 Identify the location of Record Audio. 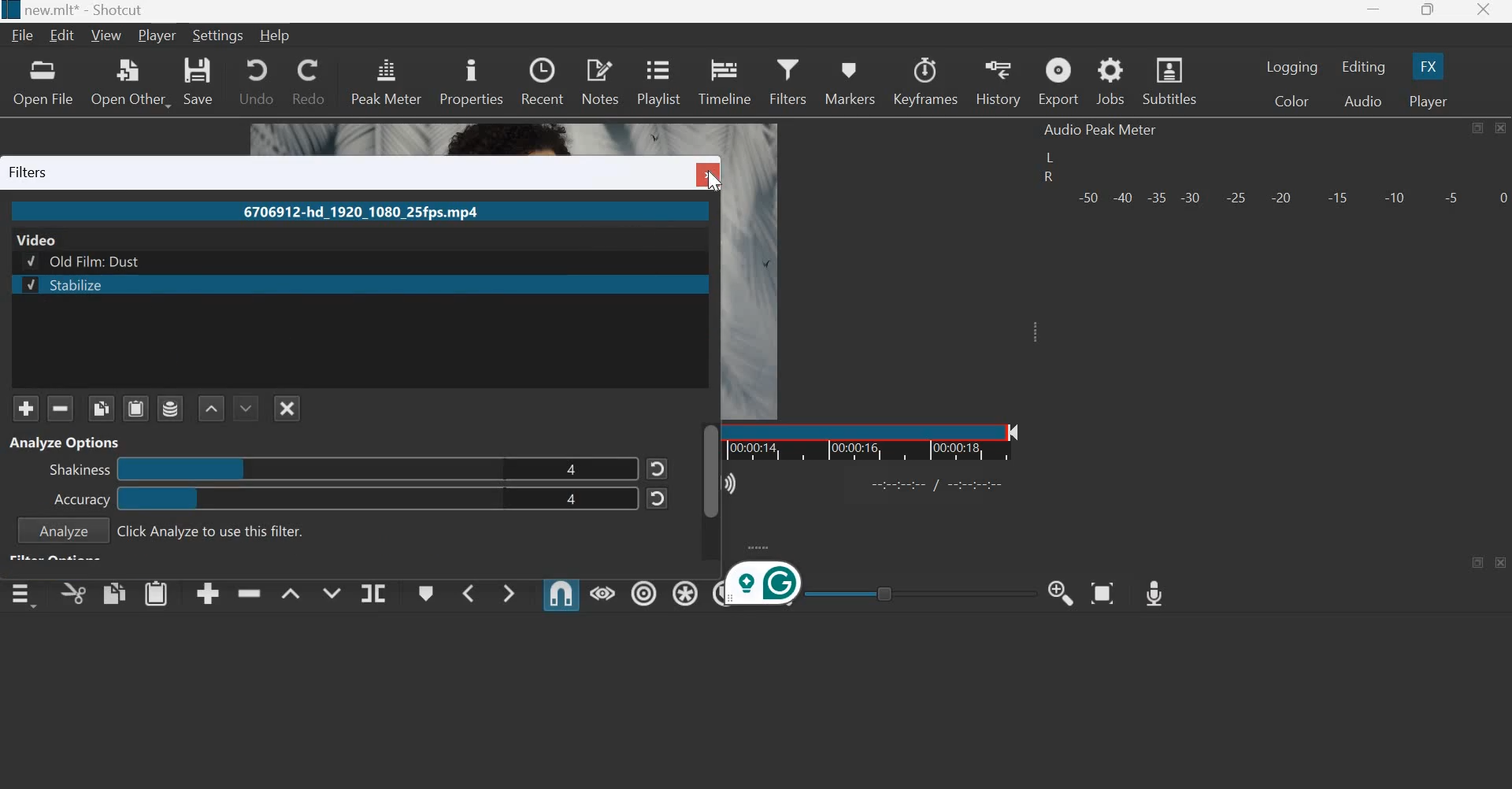
(1155, 594).